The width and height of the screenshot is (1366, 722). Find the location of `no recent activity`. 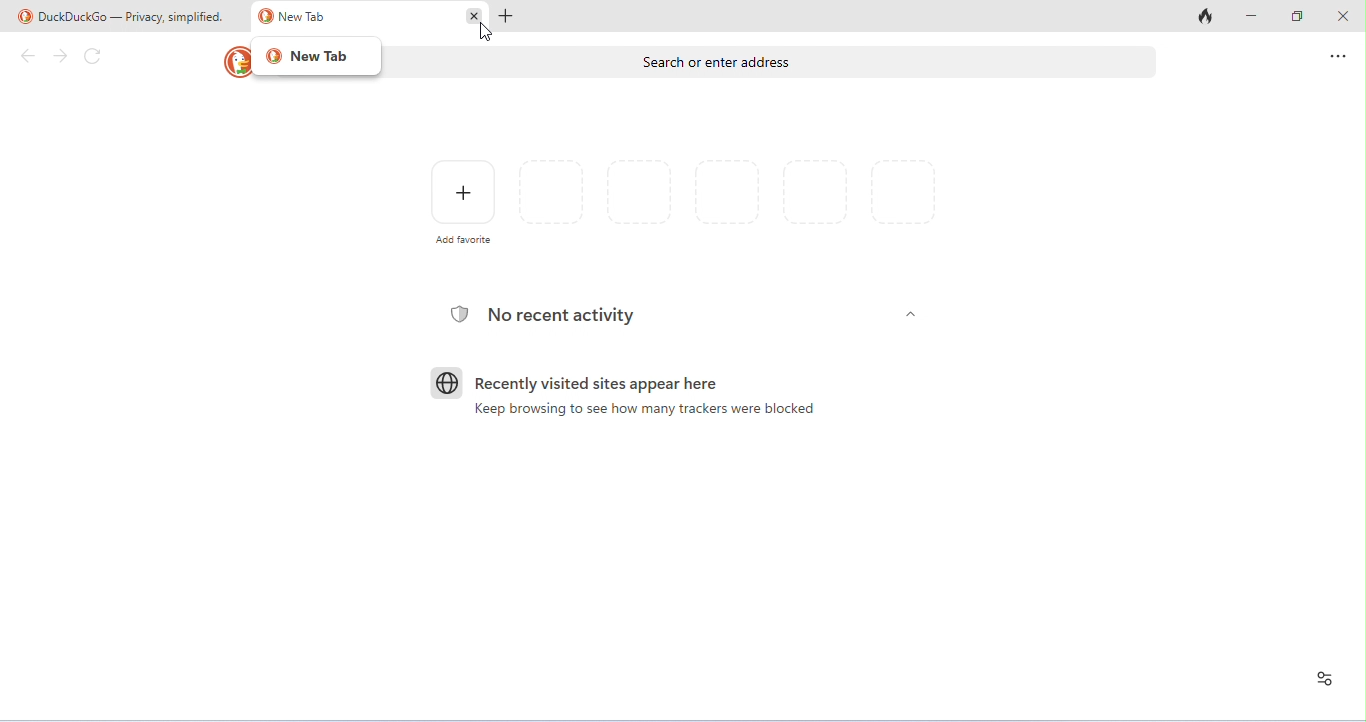

no recent activity is located at coordinates (546, 313).